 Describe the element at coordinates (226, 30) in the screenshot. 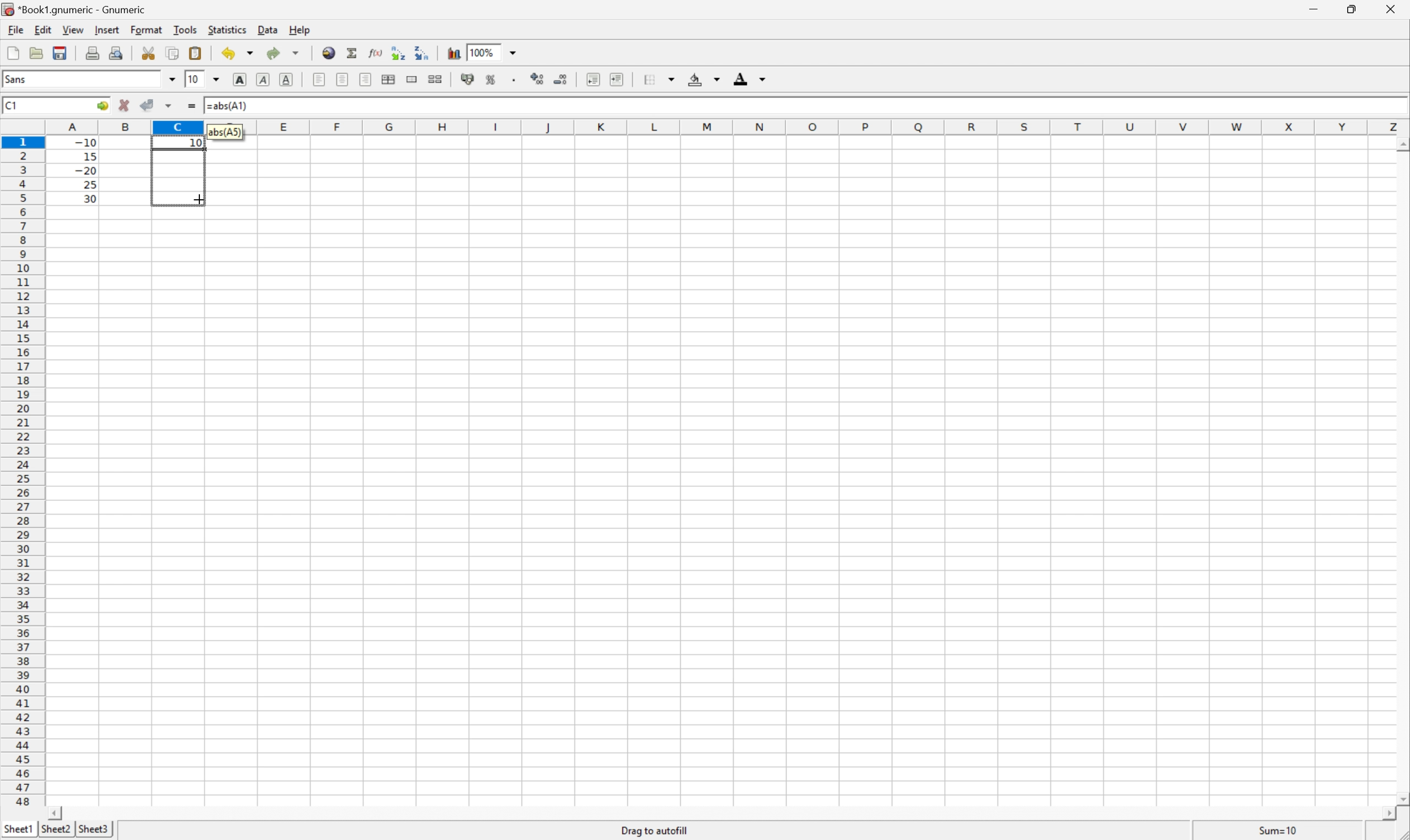

I see `Statistics` at that location.